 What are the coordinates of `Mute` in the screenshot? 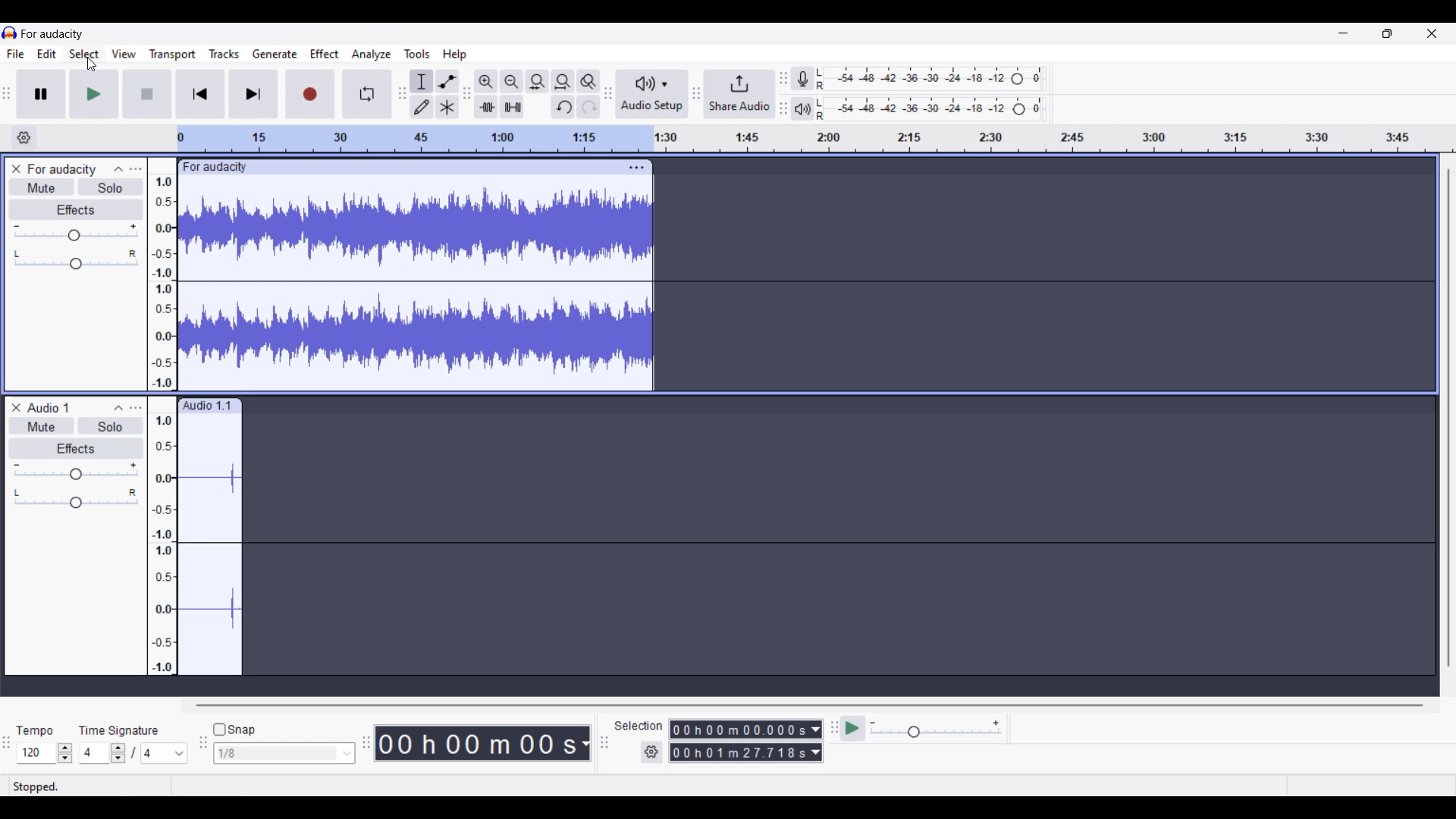 It's located at (41, 187).